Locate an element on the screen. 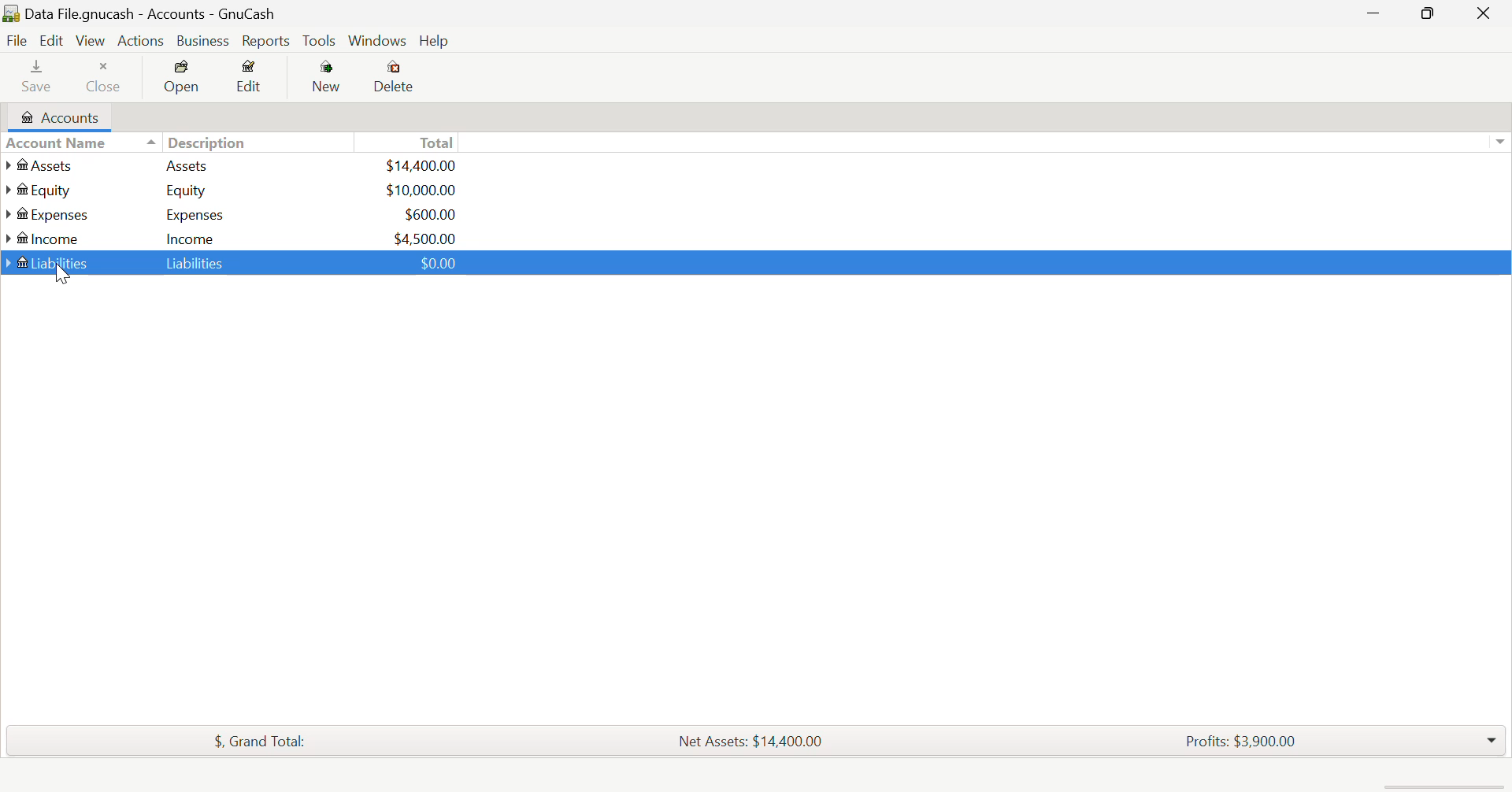 This screenshot has height=792, width=1512. Income Account is located at coordinates (47, 239).